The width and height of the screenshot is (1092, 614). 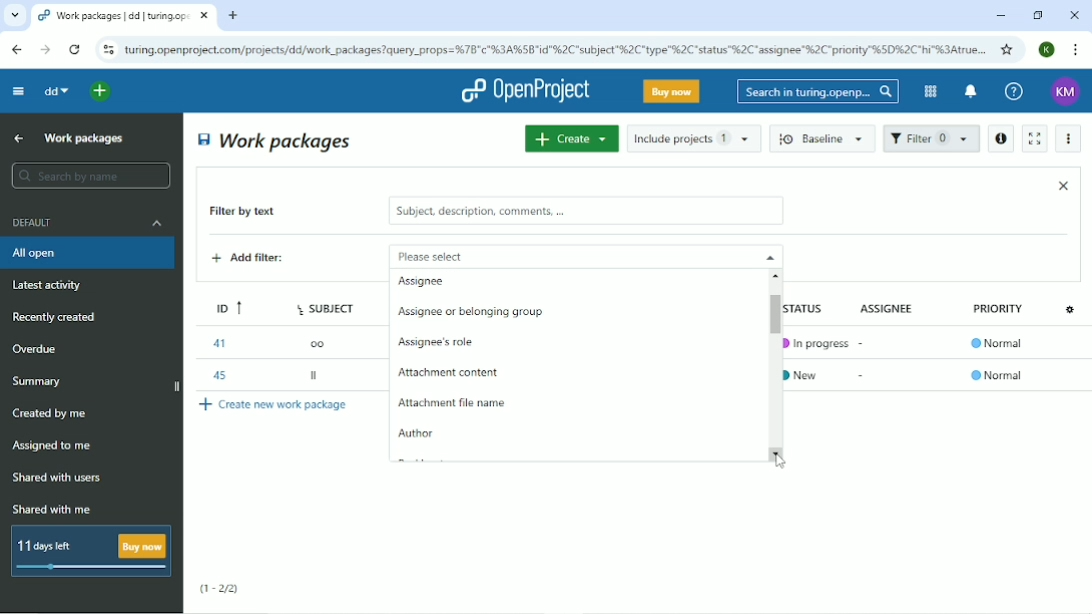 I want to click on Modules, so click(x=928, y=91).